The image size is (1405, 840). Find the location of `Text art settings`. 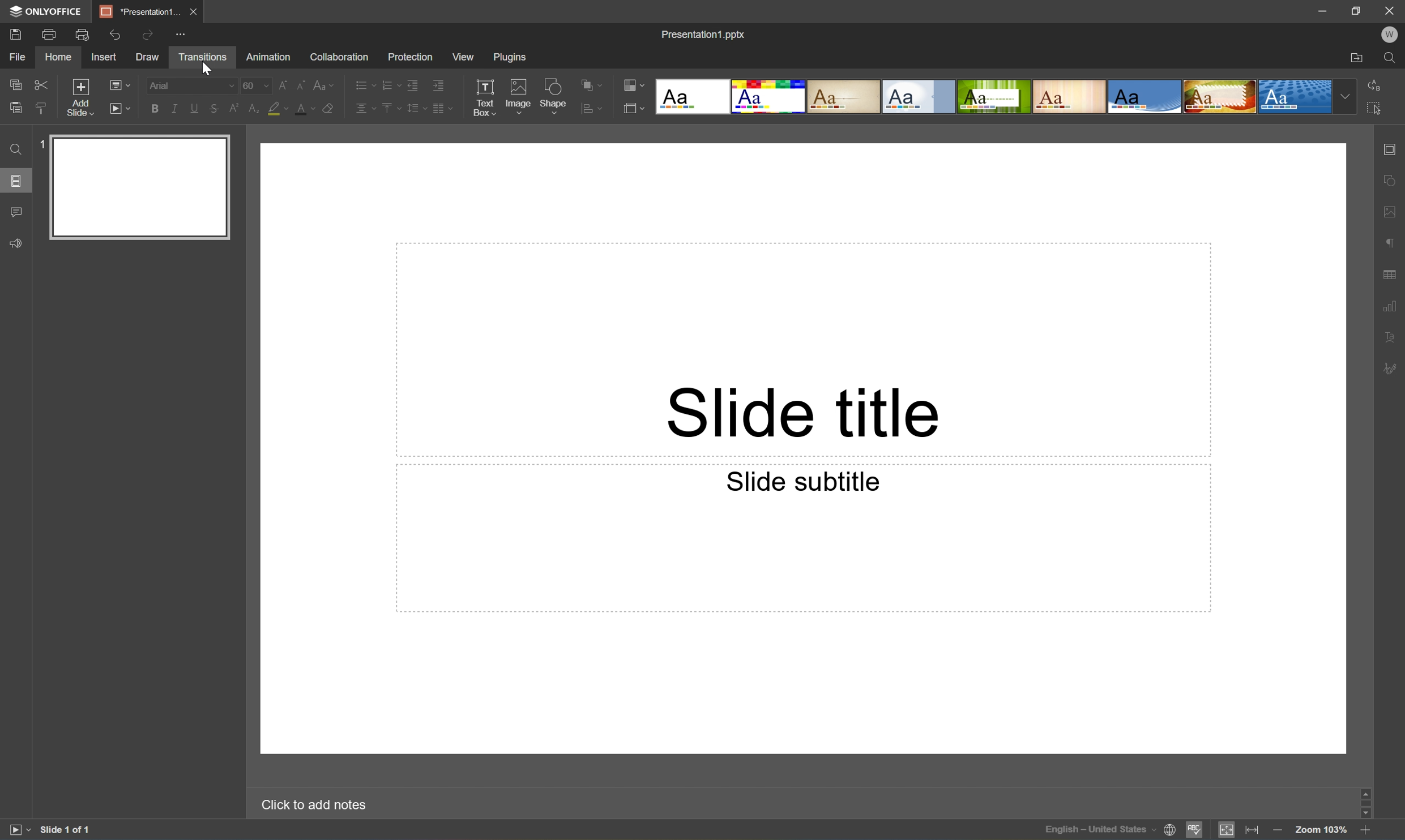

Text art settings is located at coordinates (1394, 339).